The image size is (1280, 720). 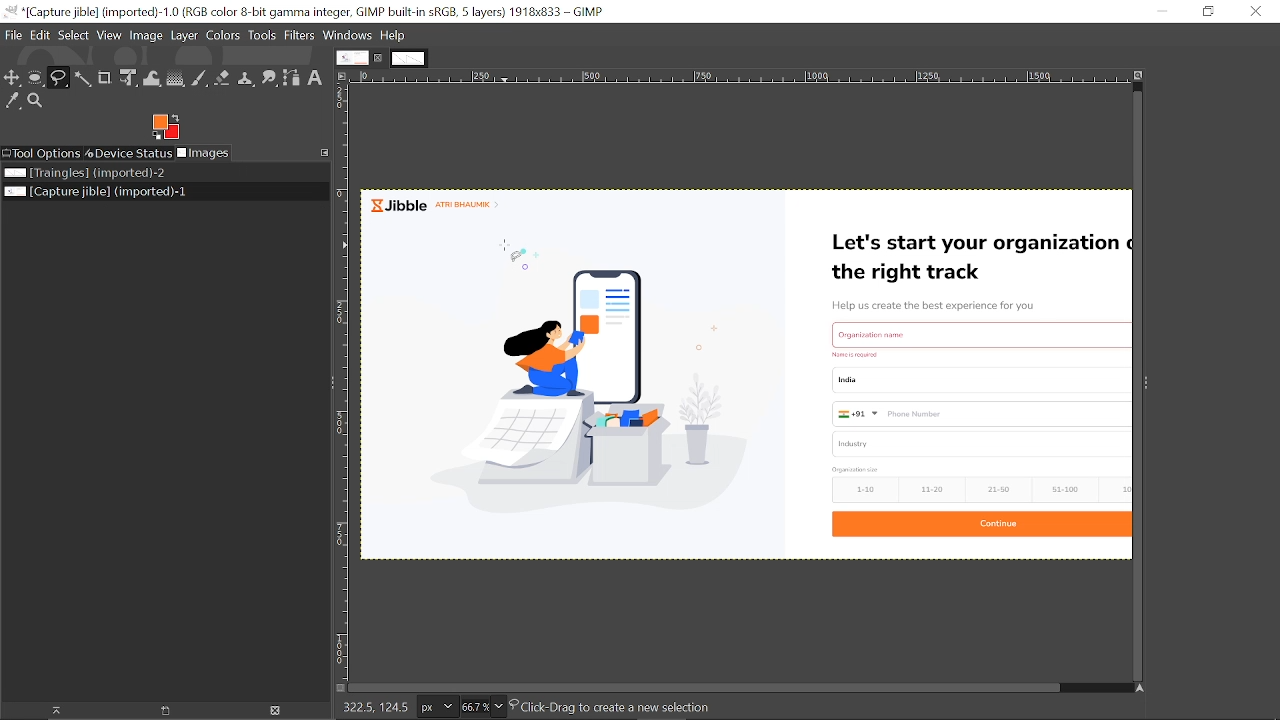 I want to click on Current zoom, so click(x=473, y=707).